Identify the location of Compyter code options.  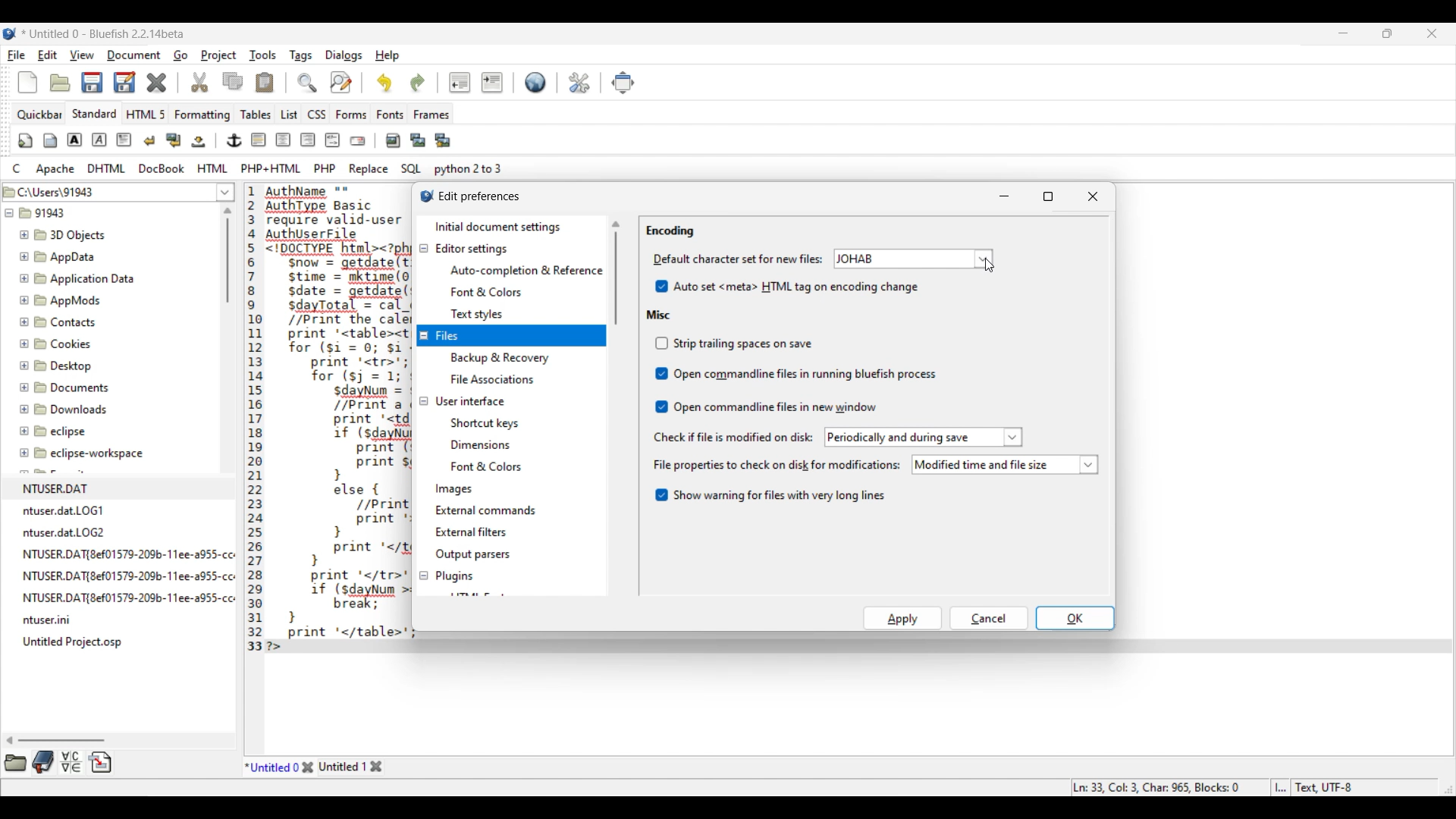
(257, 168).